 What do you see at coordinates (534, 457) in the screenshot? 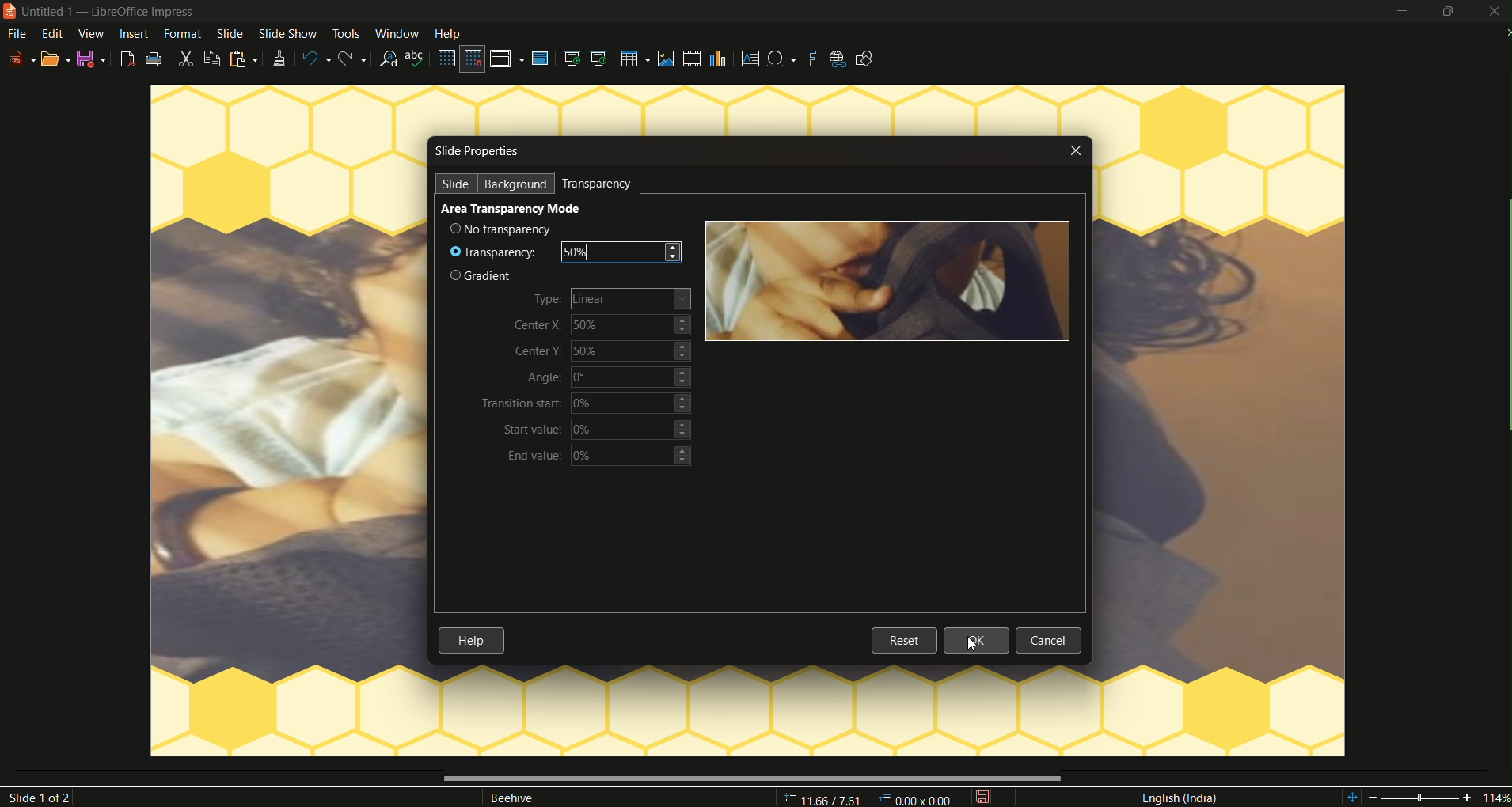
I see `end value` at bounding box center [534, 457].